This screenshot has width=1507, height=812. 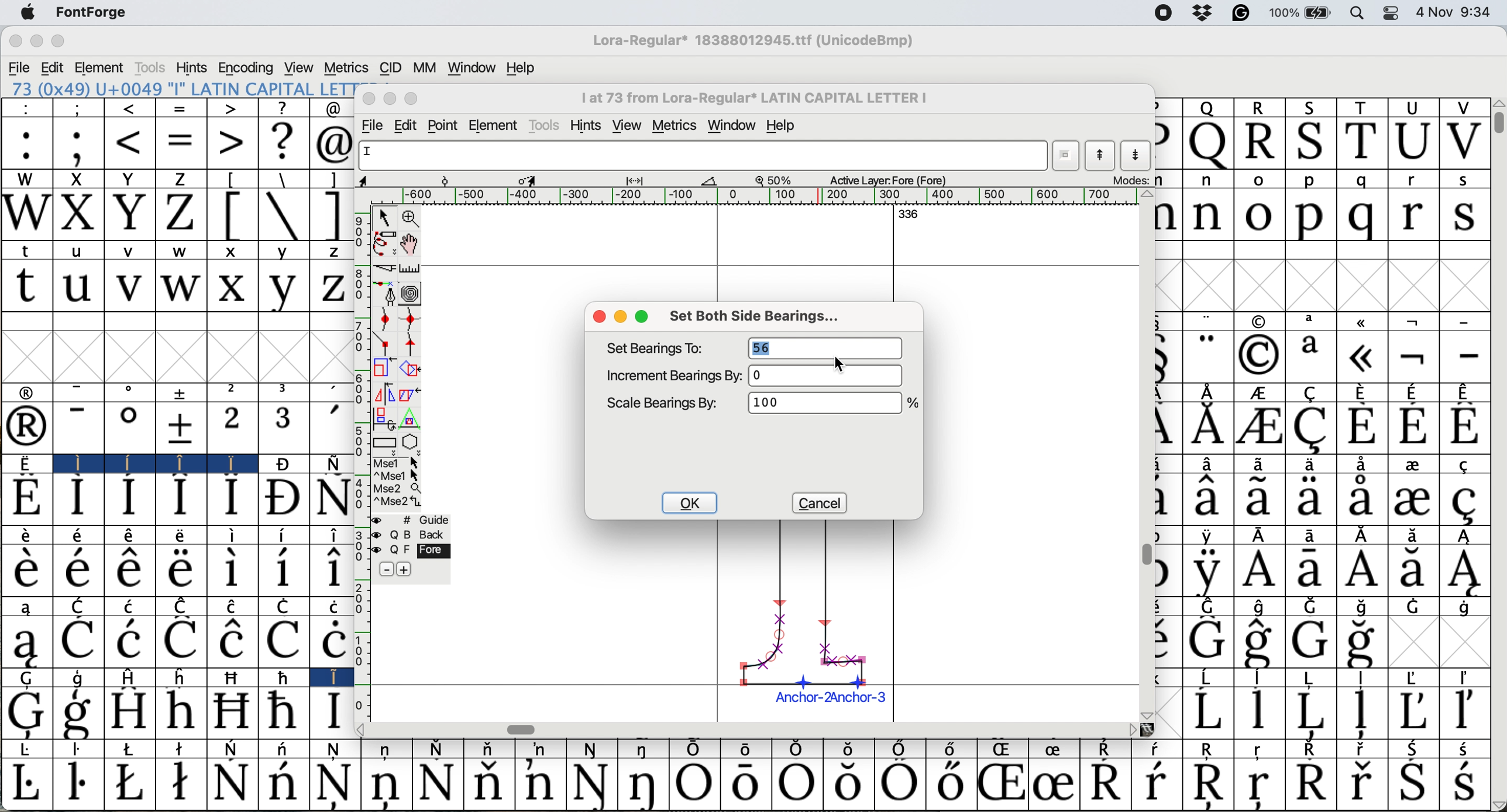 What do you see at coordinates (399, 488) in the screenshot?
I see `Mse 2` at bounding box center [399, 488].